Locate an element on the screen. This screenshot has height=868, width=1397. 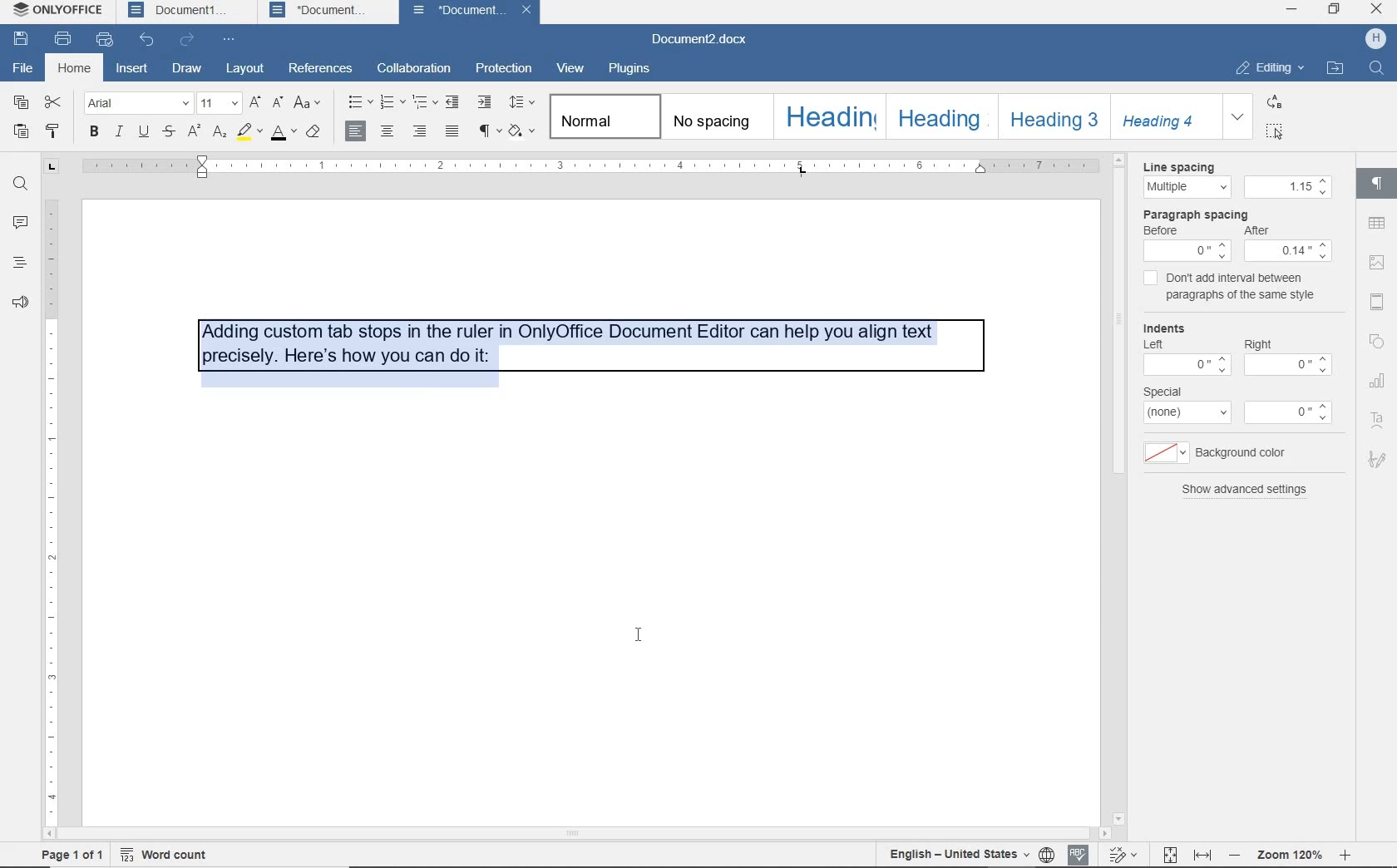
editing is located at coordinates (1267, 69).